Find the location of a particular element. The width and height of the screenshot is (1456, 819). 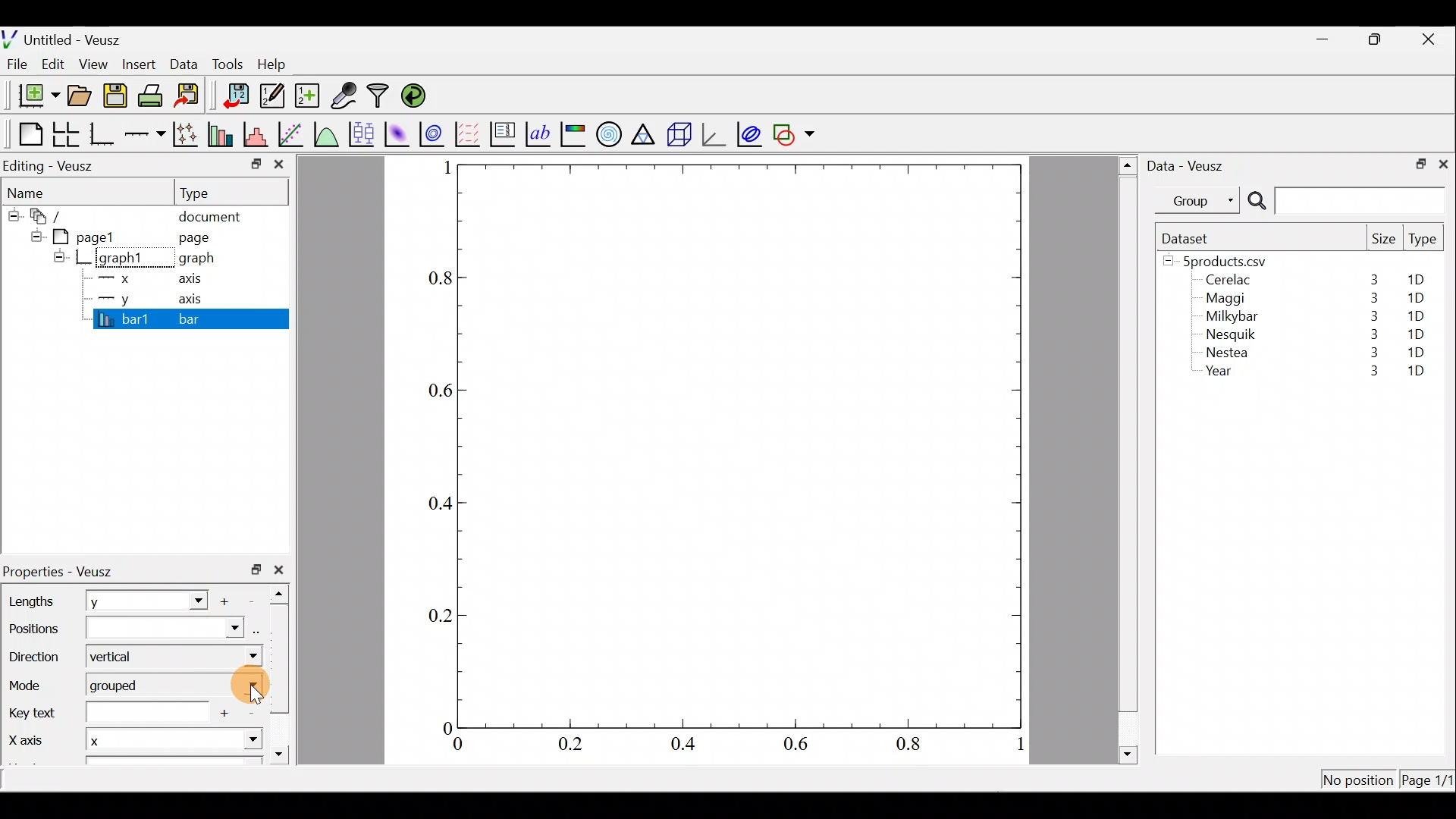

close is located at coordinates (279, 168).